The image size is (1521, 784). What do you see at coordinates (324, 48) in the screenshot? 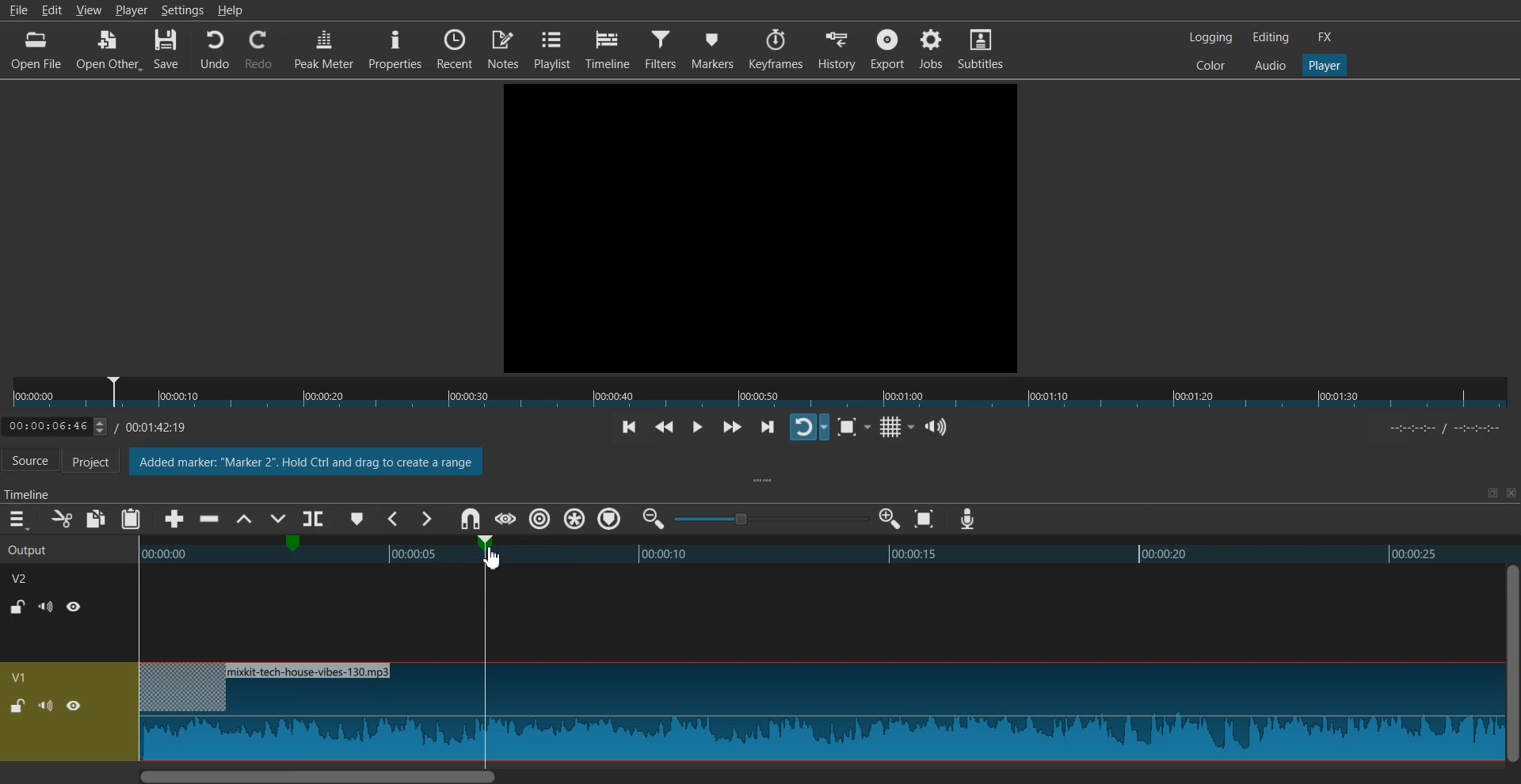
I see `Peak Meter` at bounding box center [324, 48].